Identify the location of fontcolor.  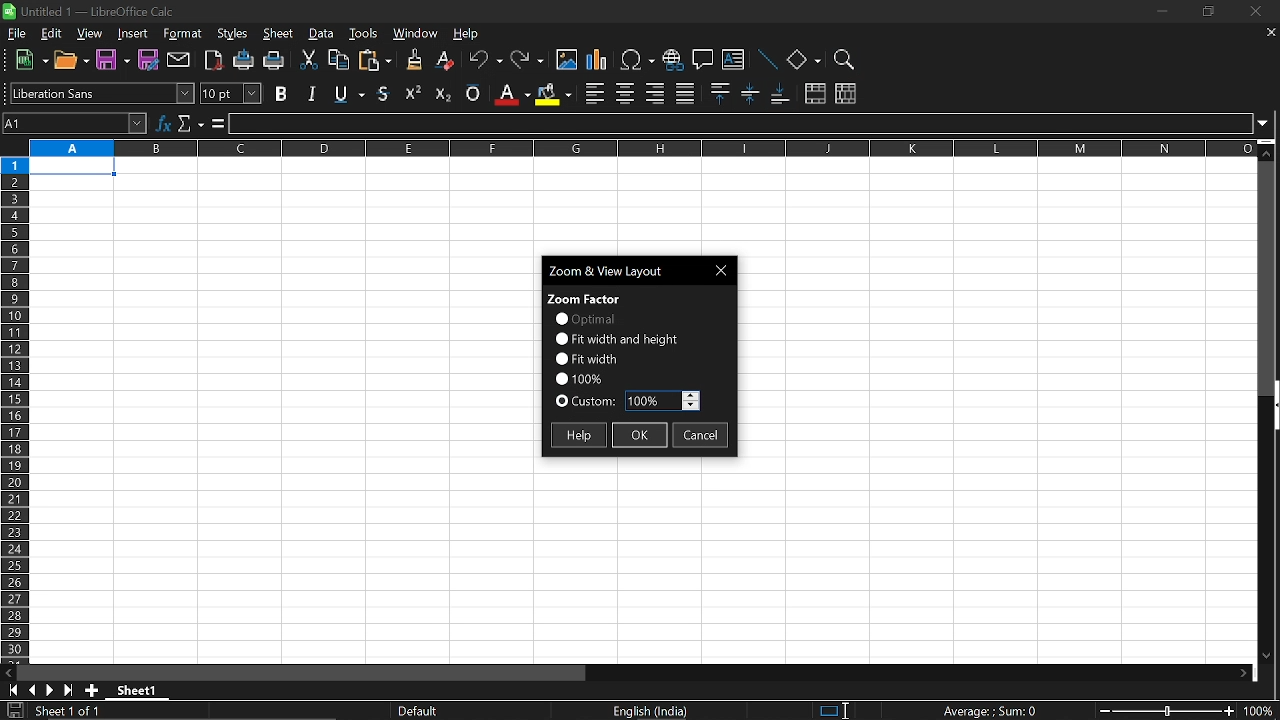
(511, 94).